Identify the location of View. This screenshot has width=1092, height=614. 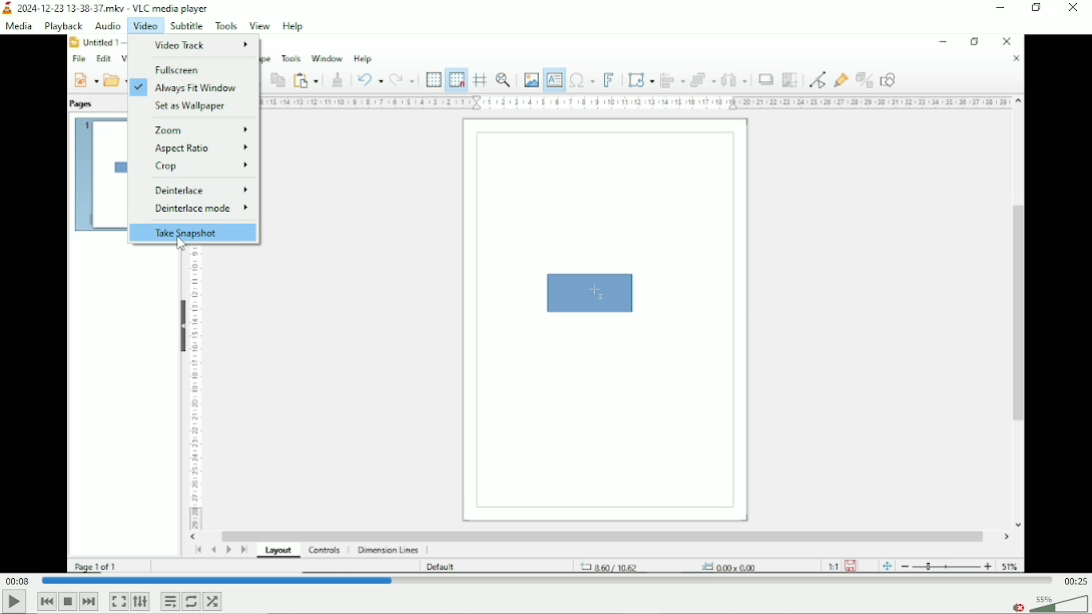
(260, 26).